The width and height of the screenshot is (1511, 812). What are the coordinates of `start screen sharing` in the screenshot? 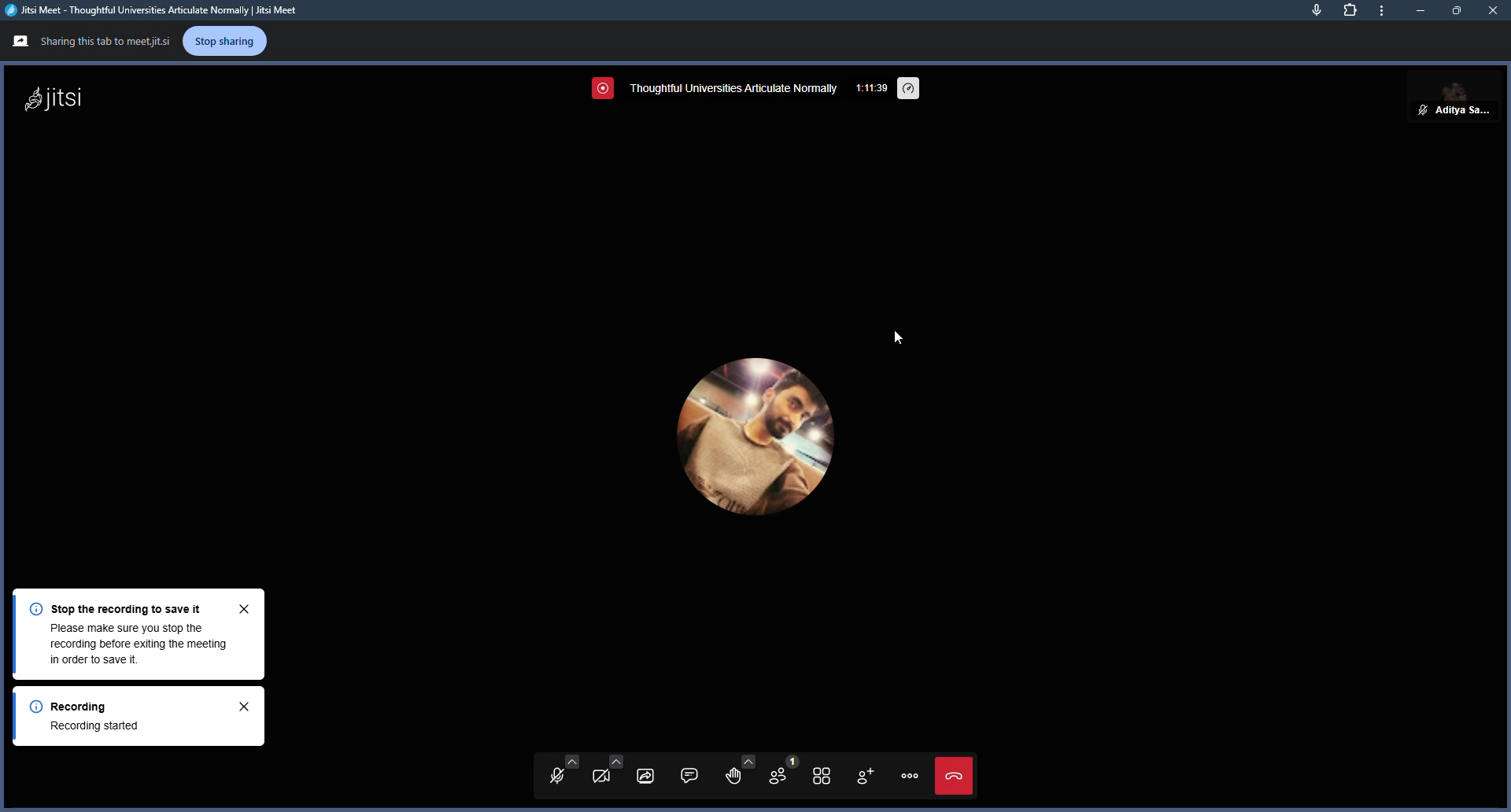 It's located at (647, 775).